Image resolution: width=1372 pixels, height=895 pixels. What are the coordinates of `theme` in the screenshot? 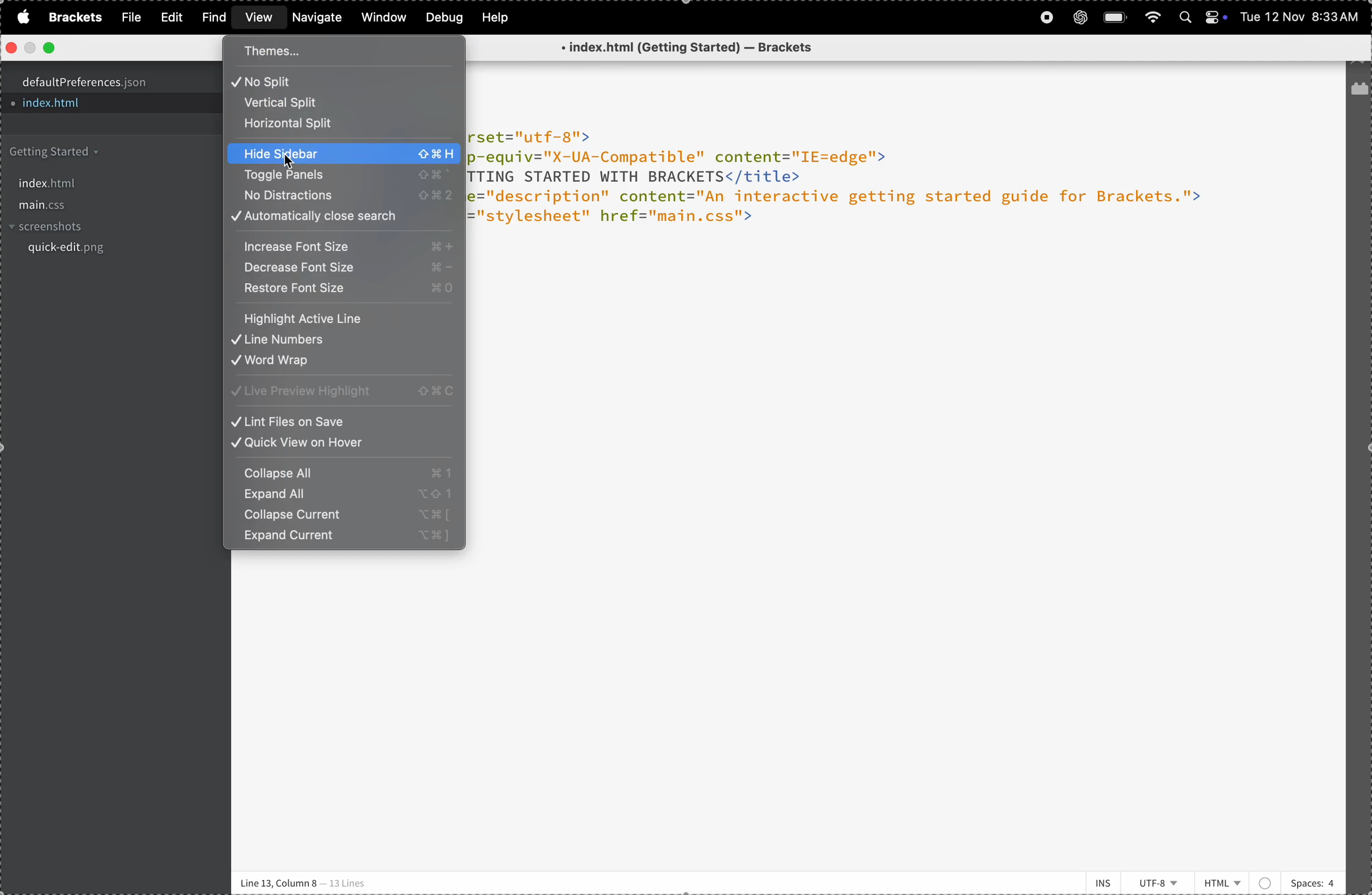 It's located at (307, 51).